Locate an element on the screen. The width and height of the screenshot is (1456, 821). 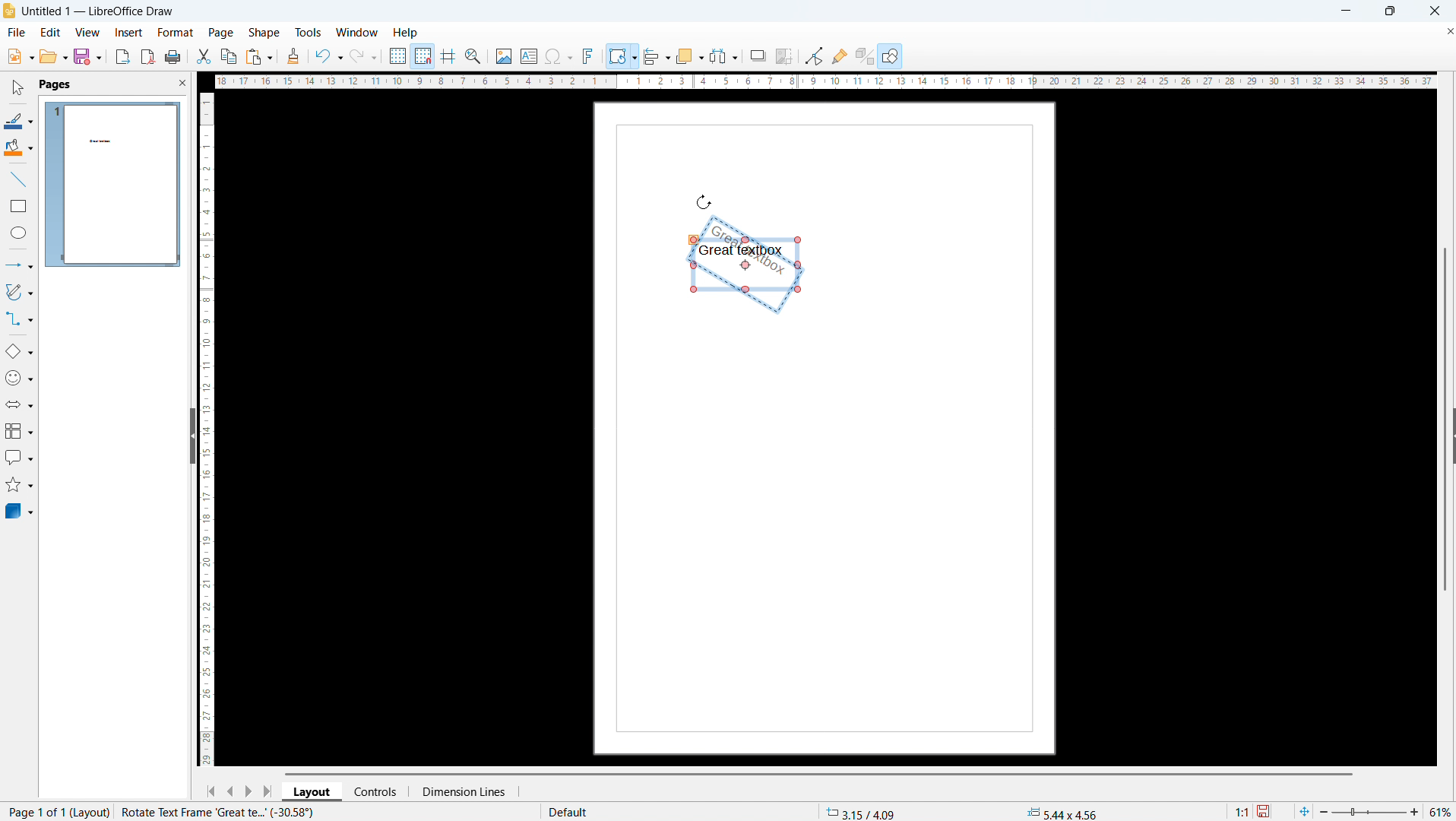
Close  is located at coordinates (1433, 11).